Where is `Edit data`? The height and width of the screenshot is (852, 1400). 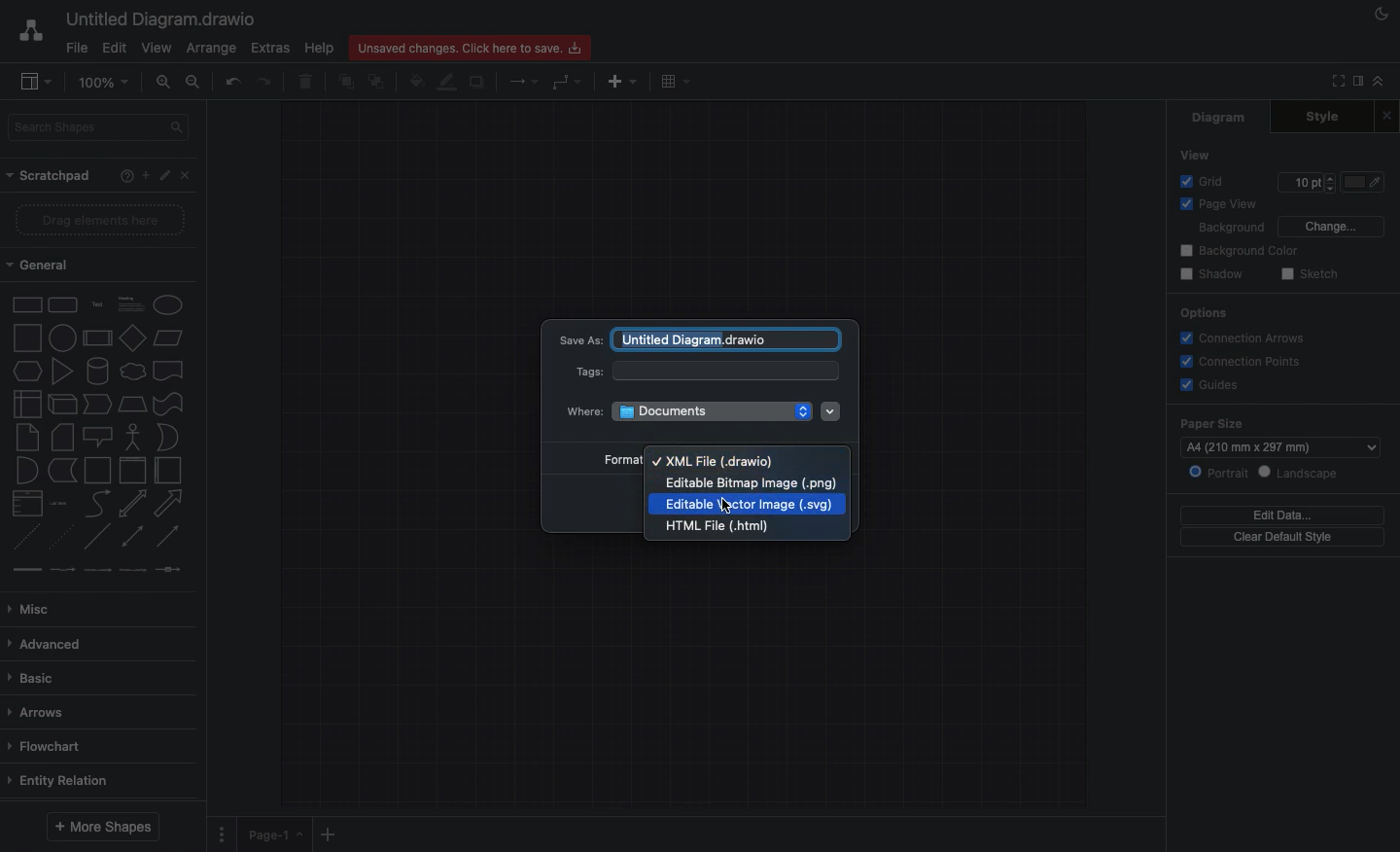 Edit data is located at coordinates (1286, 514).